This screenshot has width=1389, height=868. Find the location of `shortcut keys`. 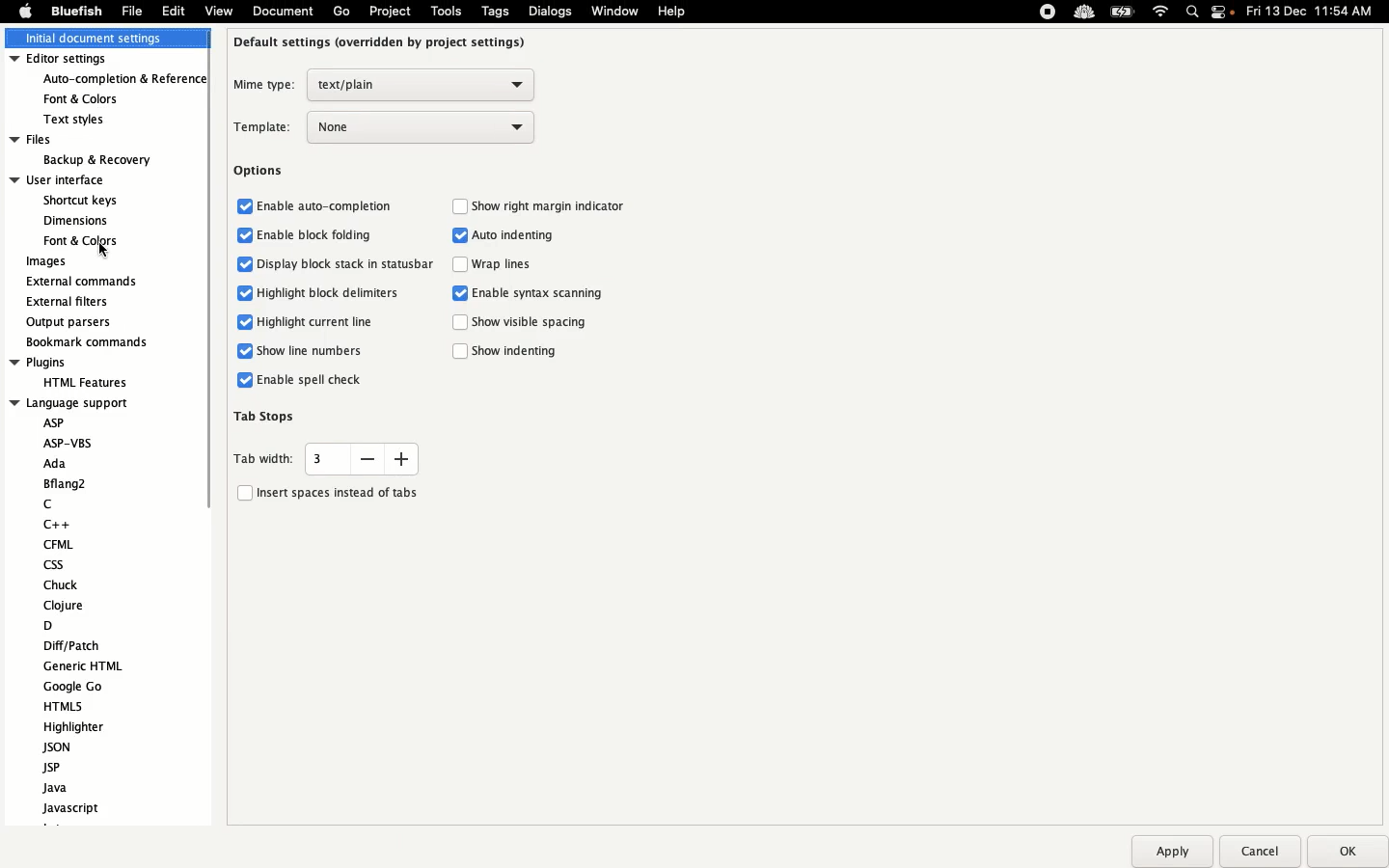

shortcut keys is located at coordinates (82, 202).